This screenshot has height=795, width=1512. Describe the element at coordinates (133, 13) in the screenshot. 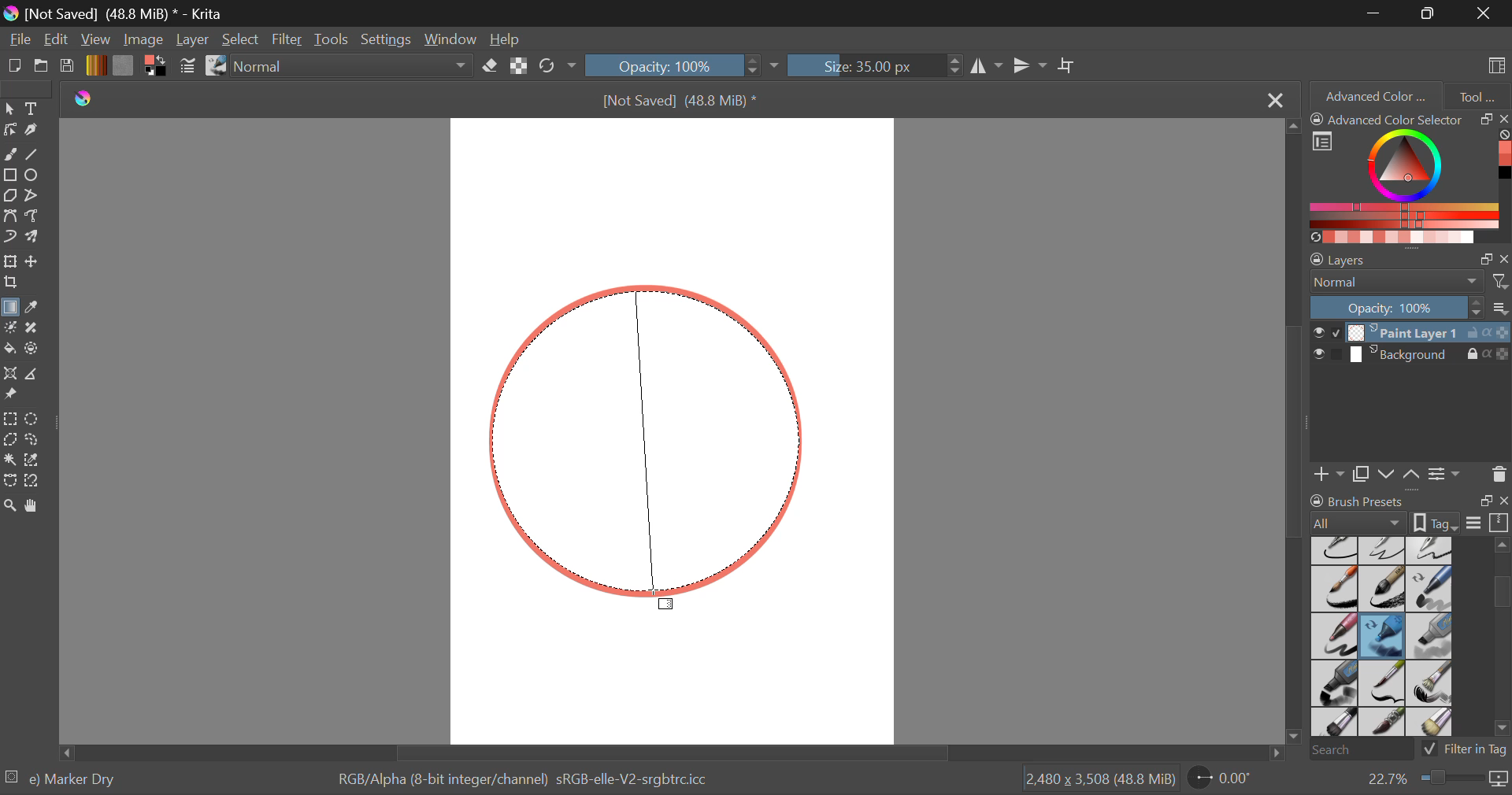

I see `[Not Saved] (48.8 MiB) * - Krita` at that location.